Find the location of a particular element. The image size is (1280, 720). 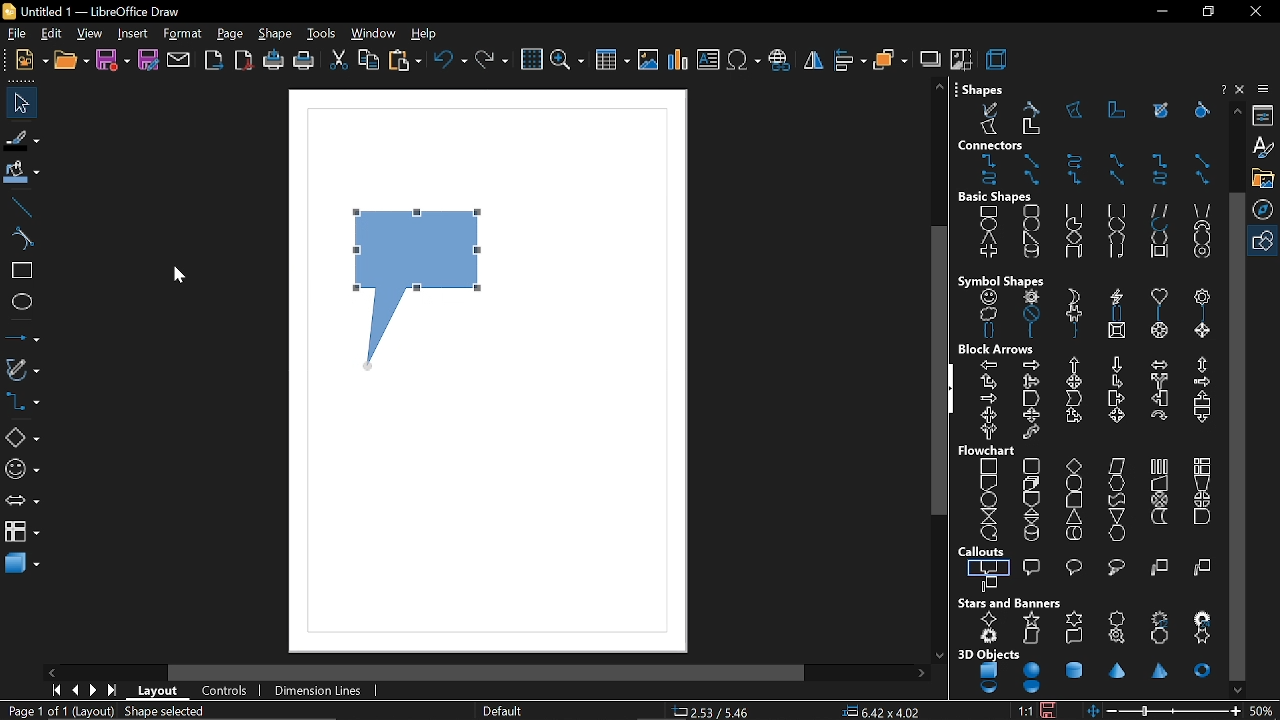

crop is located at coordinates (960, 60).